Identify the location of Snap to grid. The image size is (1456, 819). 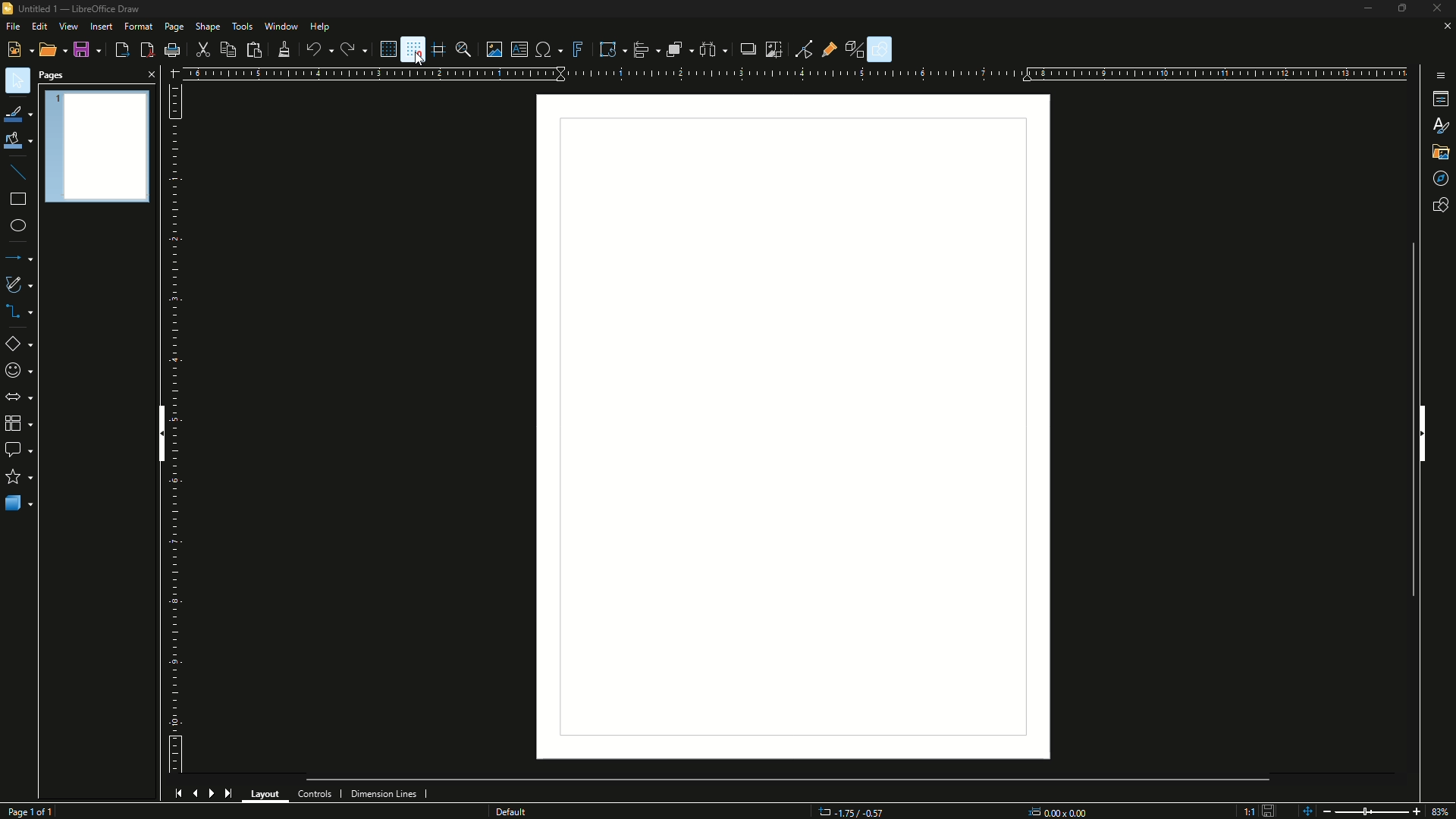
(412, 49).